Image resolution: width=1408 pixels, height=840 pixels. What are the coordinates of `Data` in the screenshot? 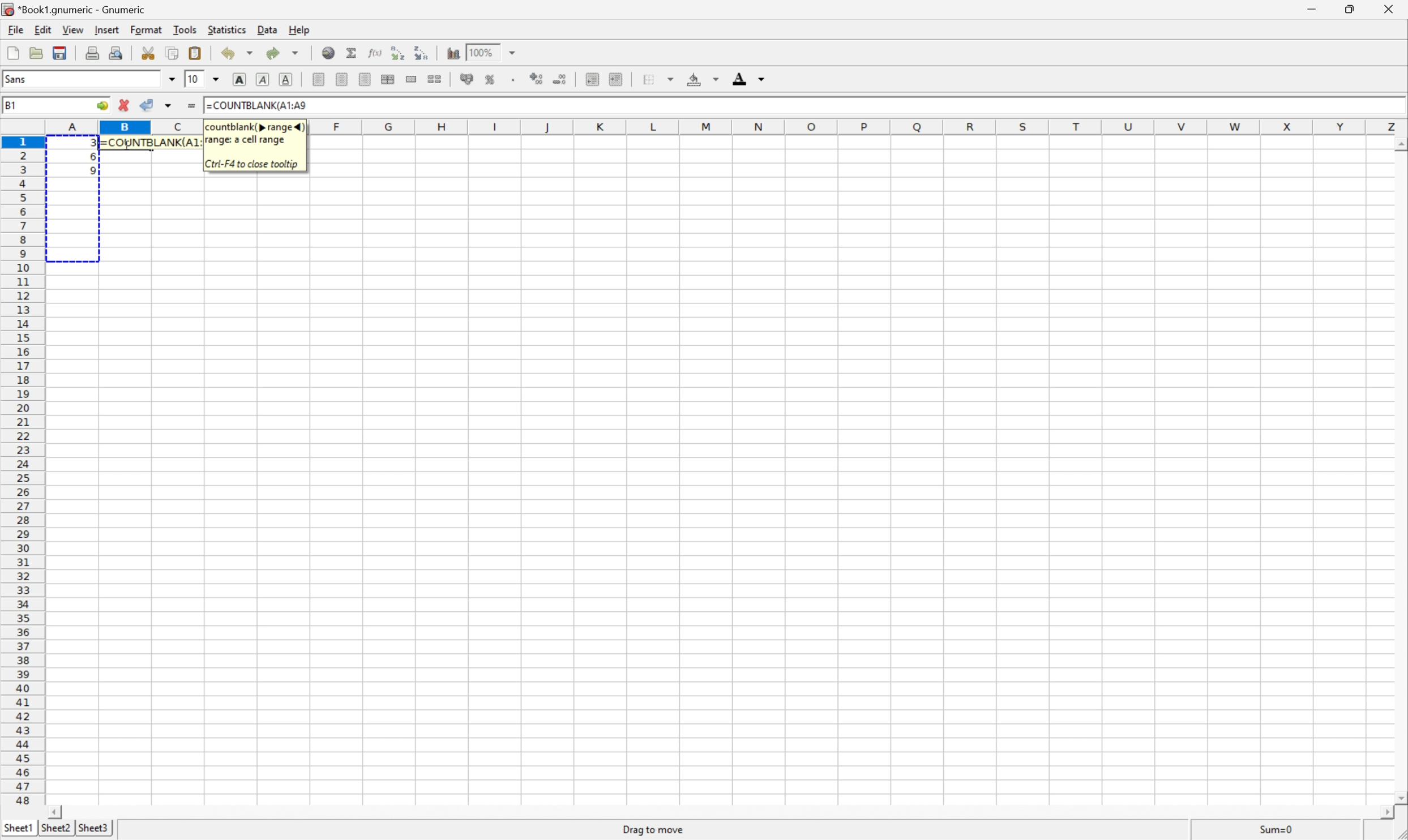 It's located at (268, 29).